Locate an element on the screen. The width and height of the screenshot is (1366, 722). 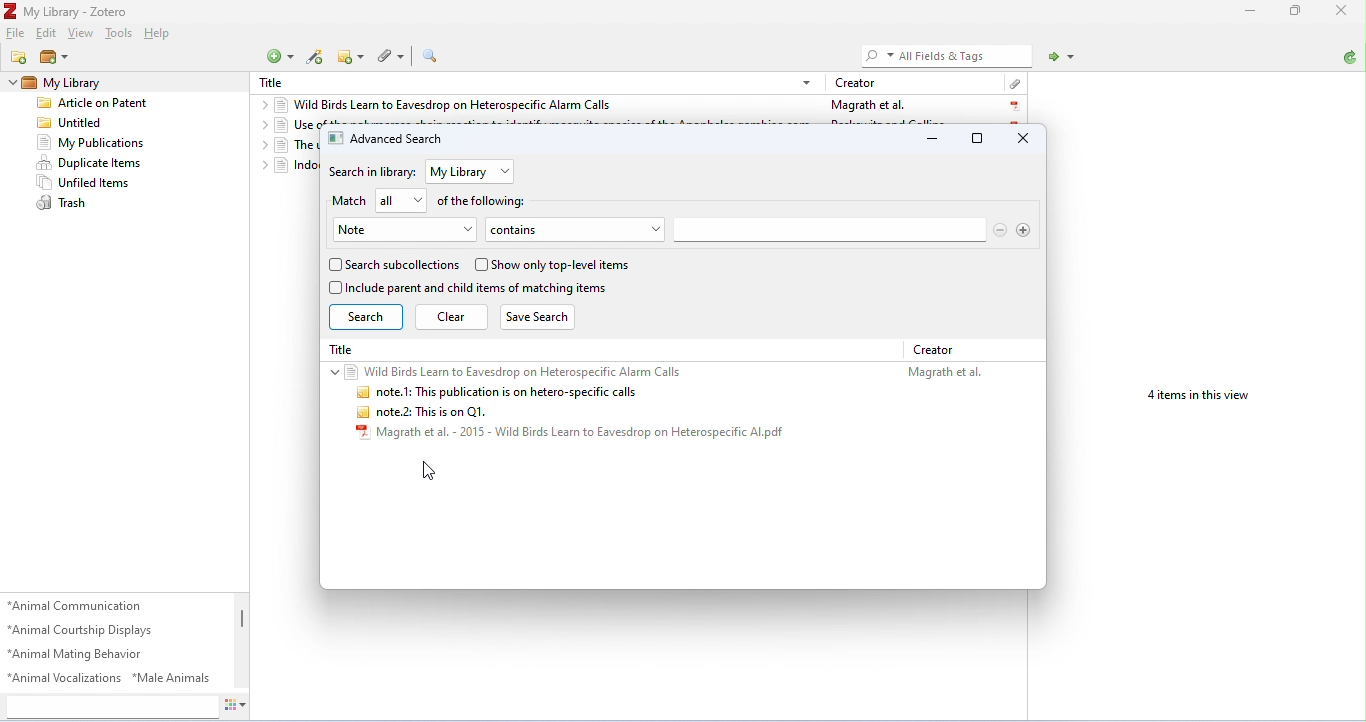
close is located at coordinates (1025, 139).